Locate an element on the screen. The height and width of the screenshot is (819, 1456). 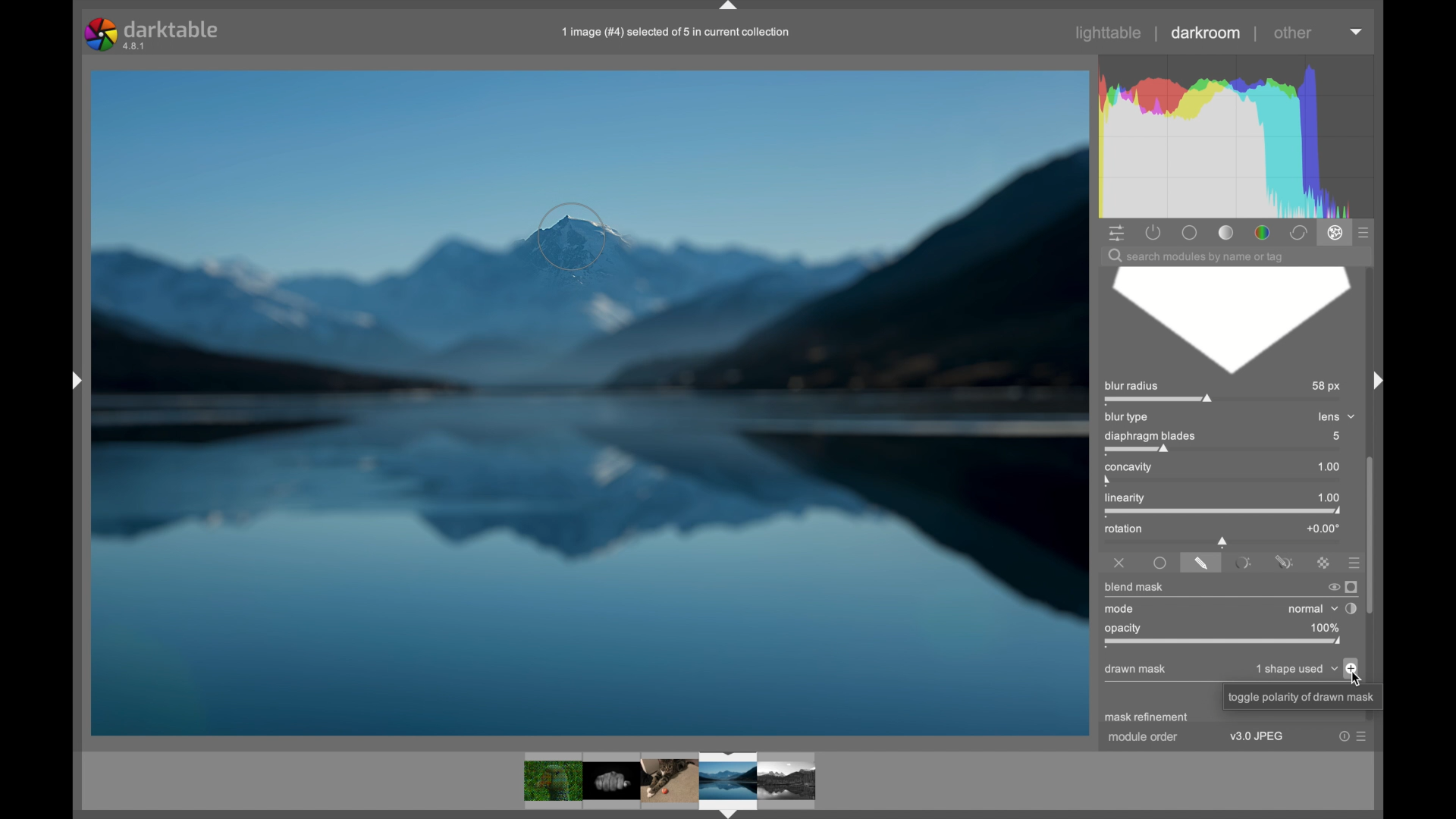
1.00 is located at coordinates (1329, 466).